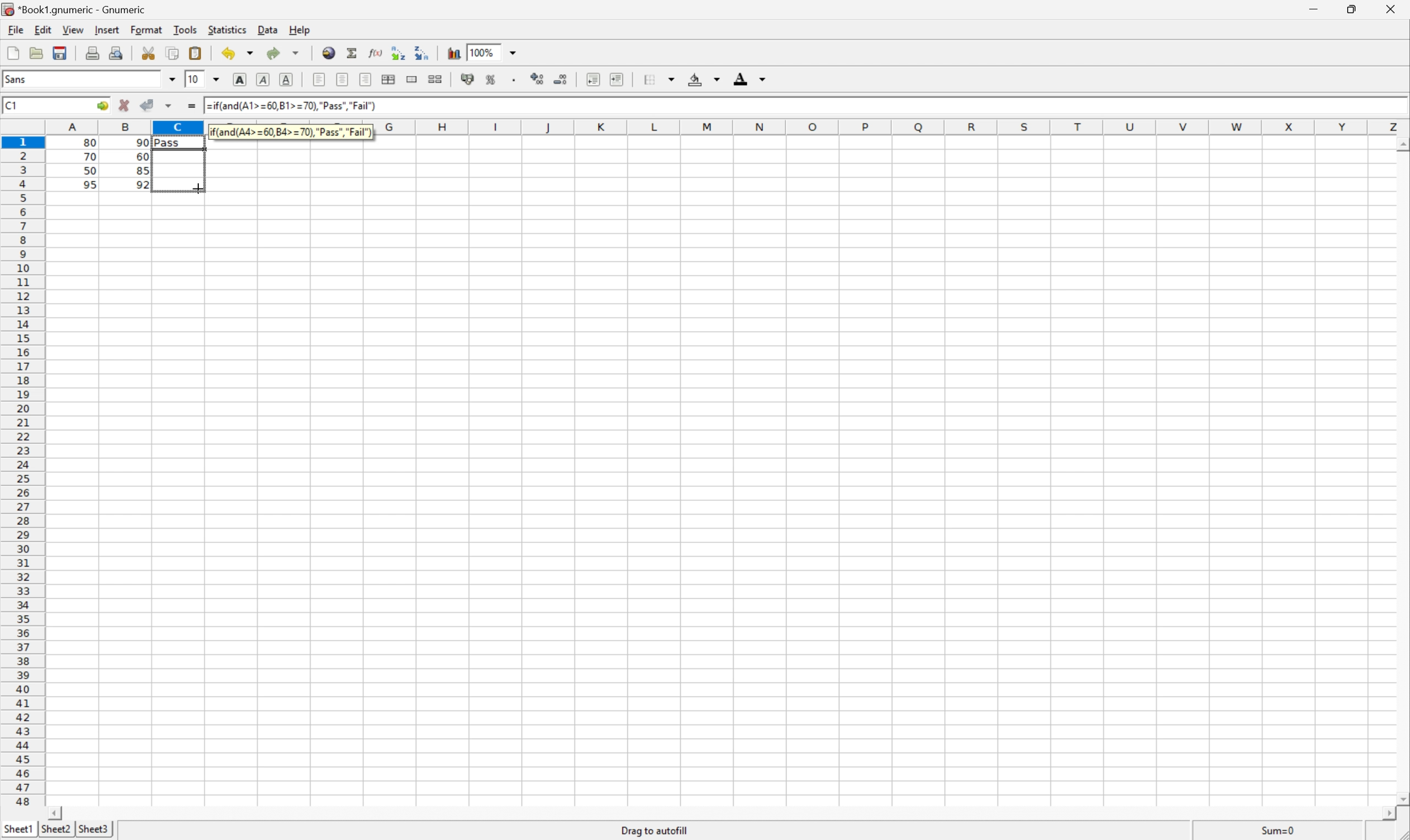 This screenshot has height=840, width=1410. I want to click on Sum into the current cell, so click(352, 52).